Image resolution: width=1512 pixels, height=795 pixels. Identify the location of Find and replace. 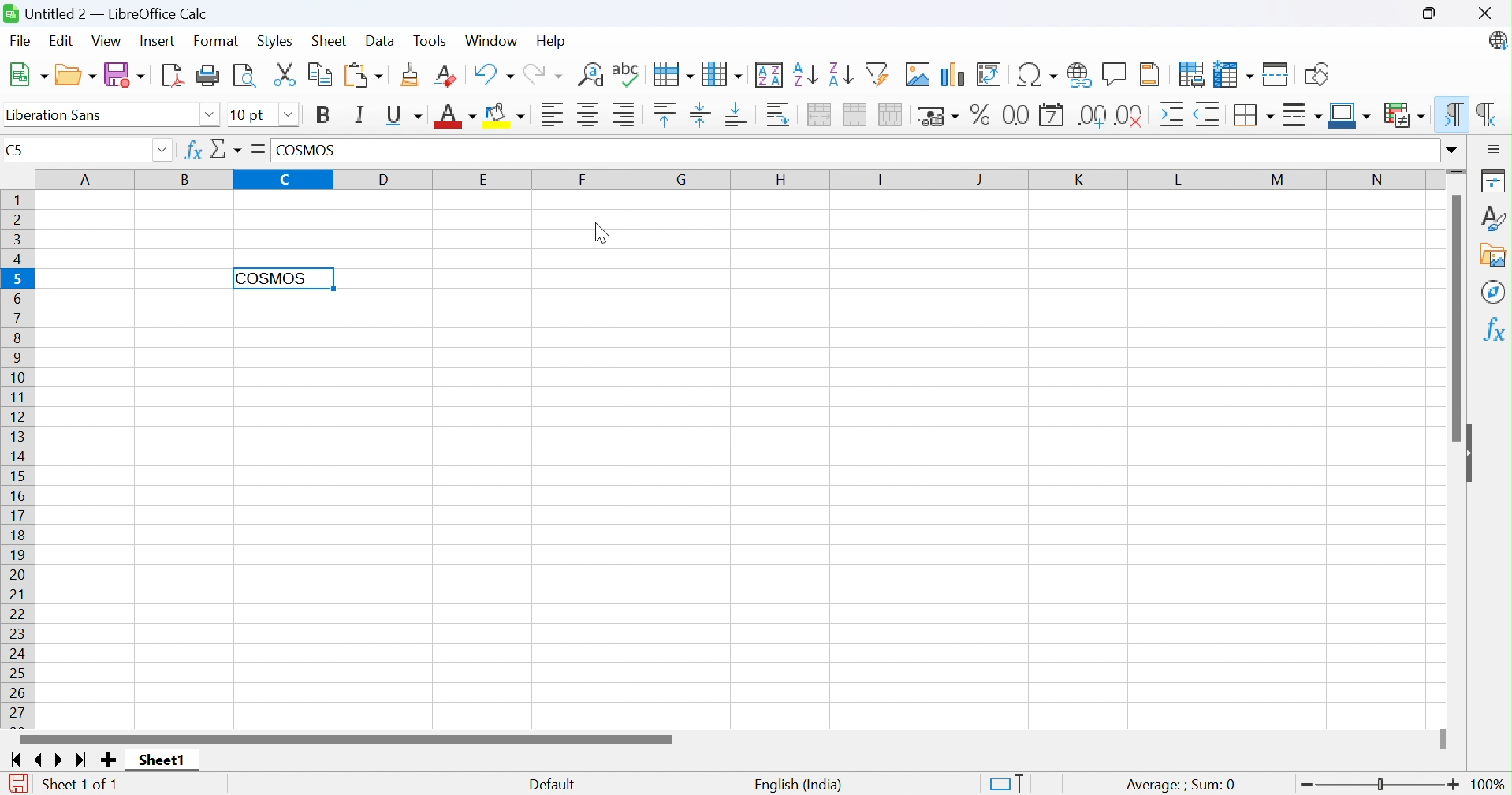
(590, 75).